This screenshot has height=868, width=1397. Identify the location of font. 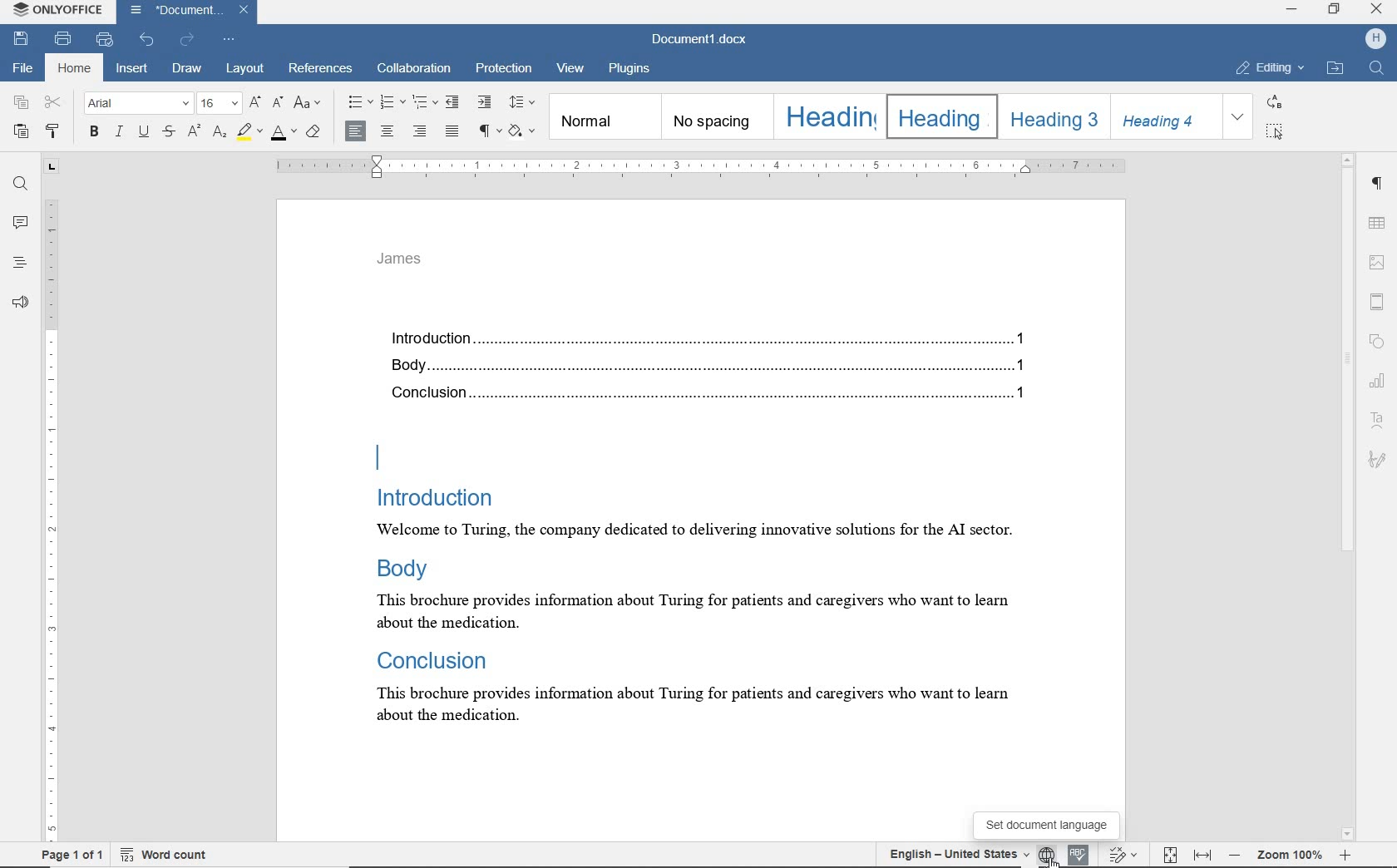
(139, 104).